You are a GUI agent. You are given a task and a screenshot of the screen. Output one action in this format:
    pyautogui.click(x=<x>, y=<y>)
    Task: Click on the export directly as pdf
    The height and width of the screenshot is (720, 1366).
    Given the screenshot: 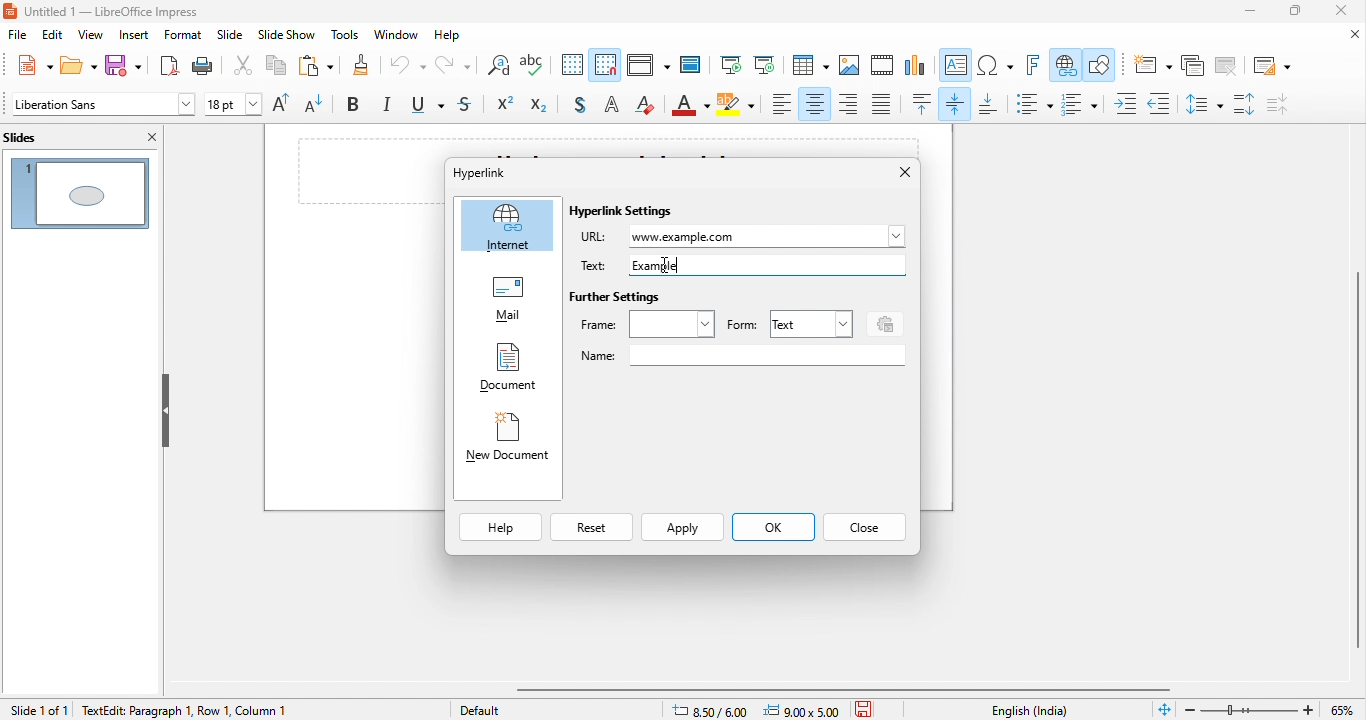 What is the action you would take?
    pyautogui.click(x=167, y=66)
    